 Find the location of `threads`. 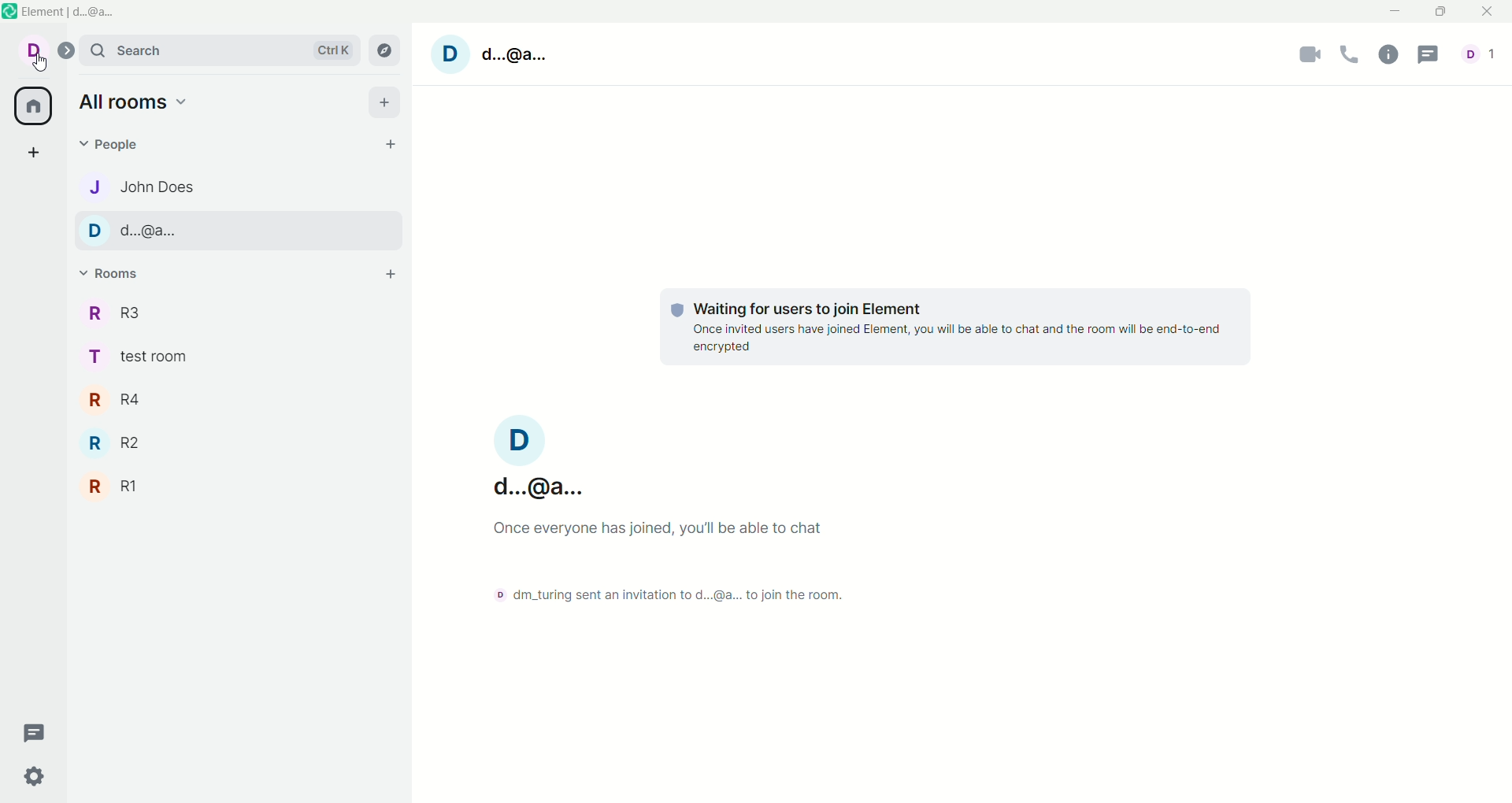

threads is located at coordinates (35, 730).